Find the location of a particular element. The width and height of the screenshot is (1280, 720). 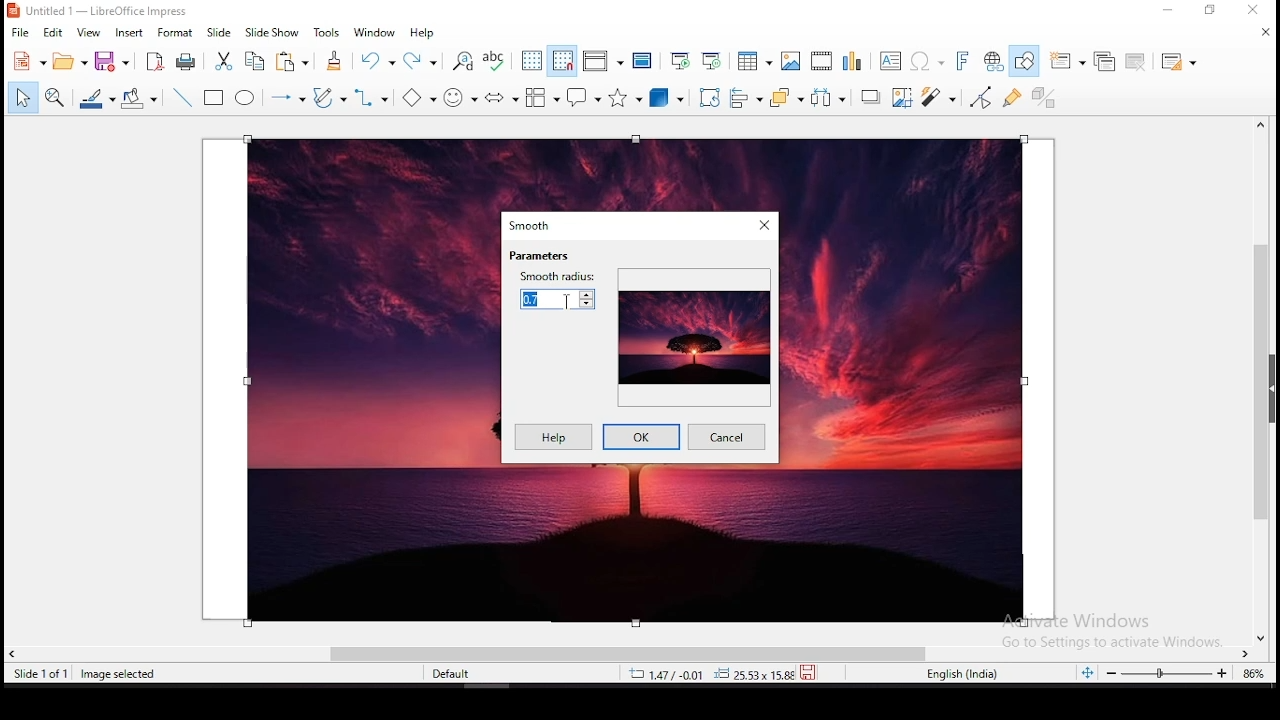

callout shape is located at coordinates (584, 101).